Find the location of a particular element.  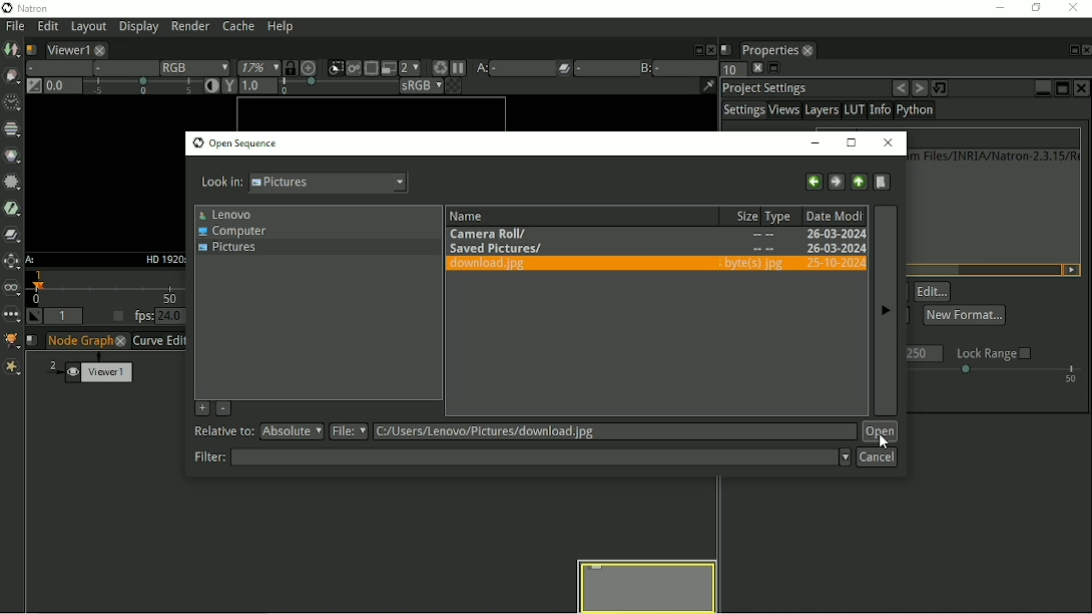

Set playback frame is located at coordinates (115, 317).